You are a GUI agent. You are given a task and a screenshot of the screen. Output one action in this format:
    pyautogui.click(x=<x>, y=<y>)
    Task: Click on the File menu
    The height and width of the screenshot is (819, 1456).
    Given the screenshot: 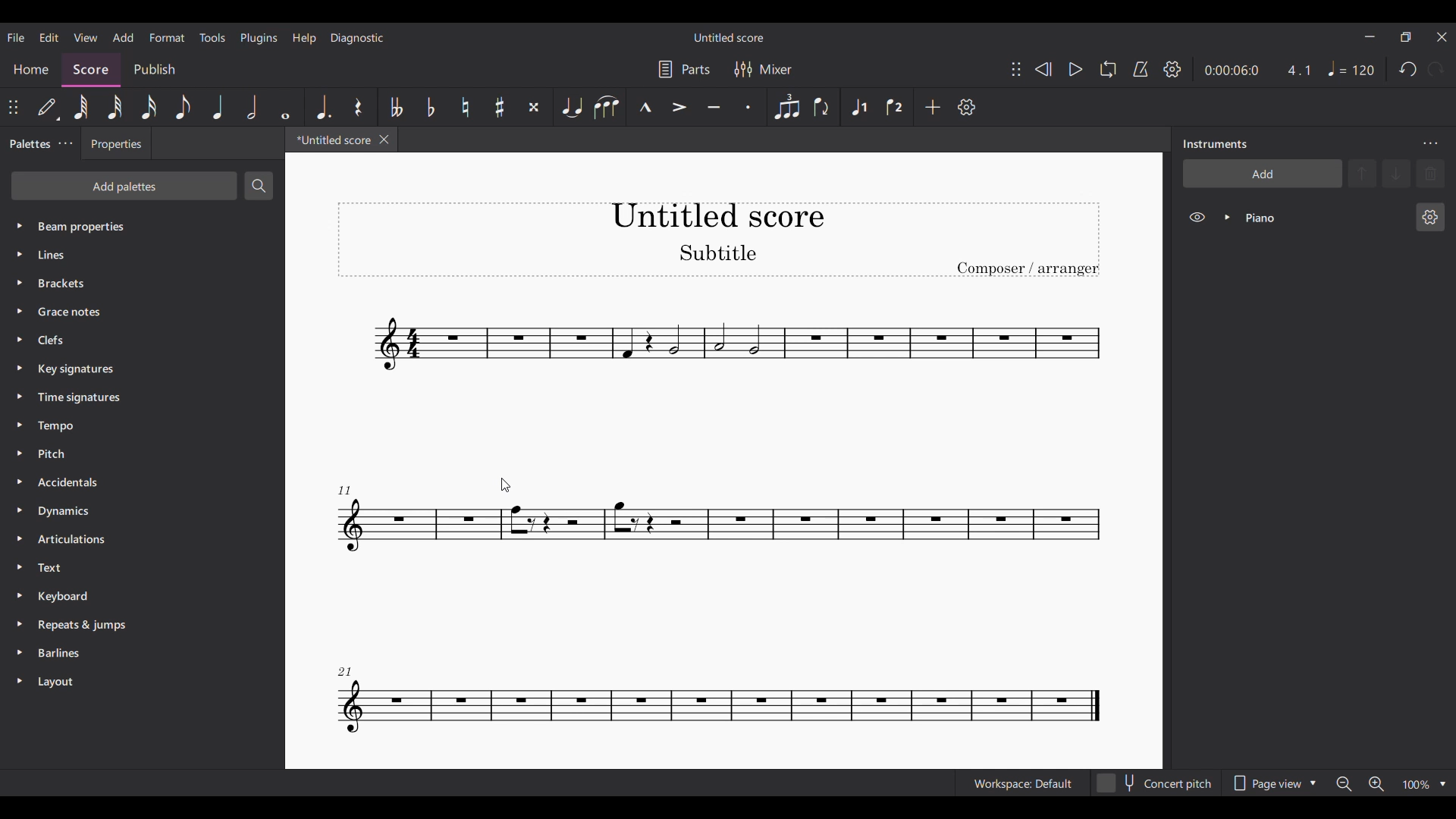 What is the action you would take?
    pyautogui.click(x=15, y=37)
    